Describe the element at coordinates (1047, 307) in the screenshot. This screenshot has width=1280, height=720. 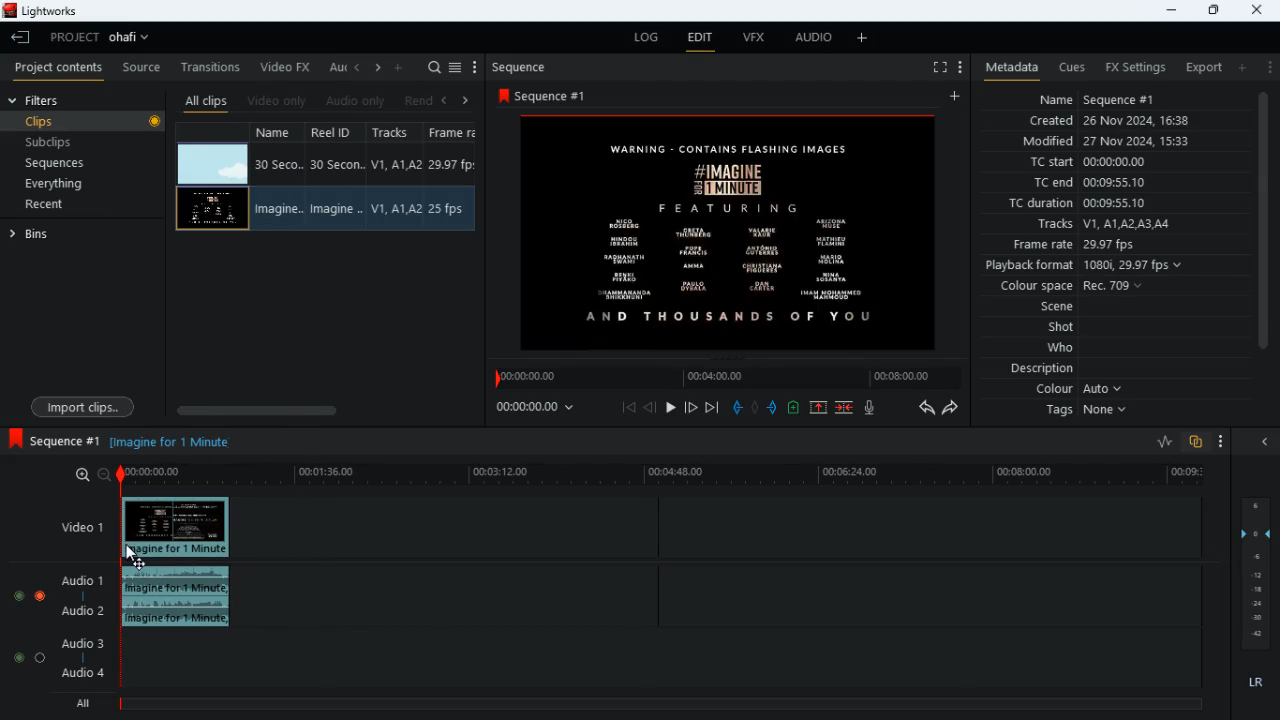
I see `scene` at that location.